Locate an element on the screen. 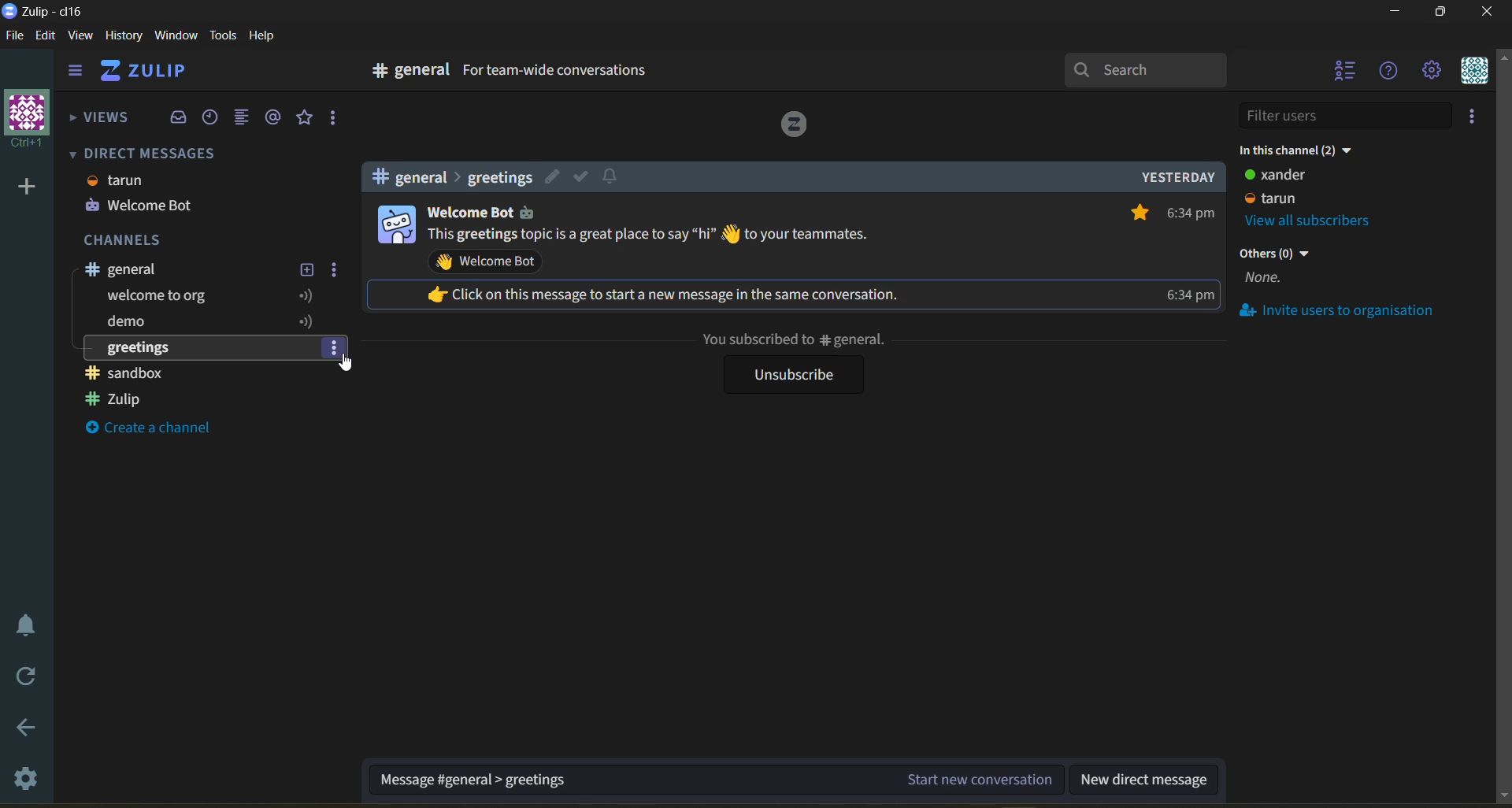  user profile is located at coordinates (395, 224).